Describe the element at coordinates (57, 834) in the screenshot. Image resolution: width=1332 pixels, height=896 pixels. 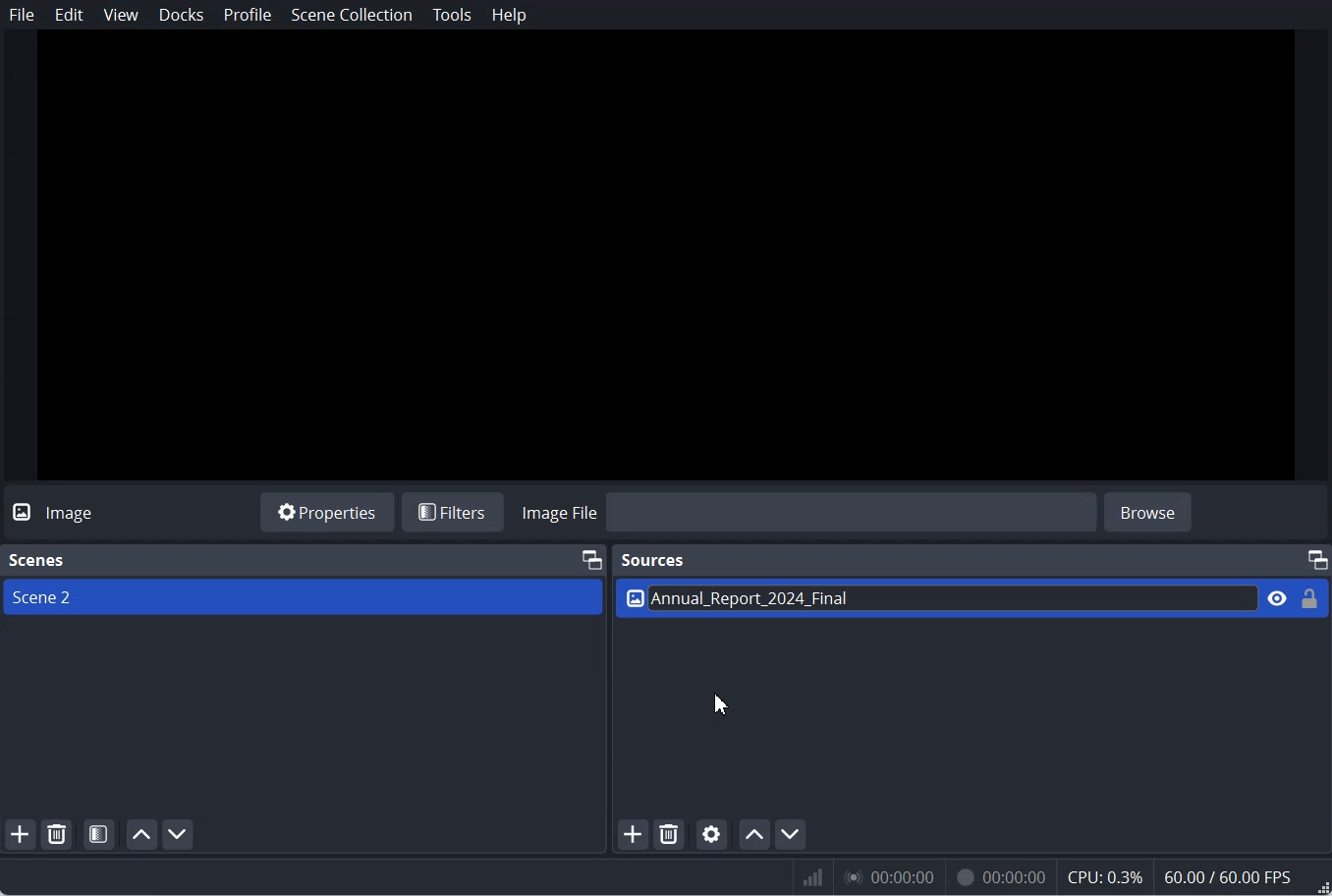
I see `Remove selected Scene` at that location.